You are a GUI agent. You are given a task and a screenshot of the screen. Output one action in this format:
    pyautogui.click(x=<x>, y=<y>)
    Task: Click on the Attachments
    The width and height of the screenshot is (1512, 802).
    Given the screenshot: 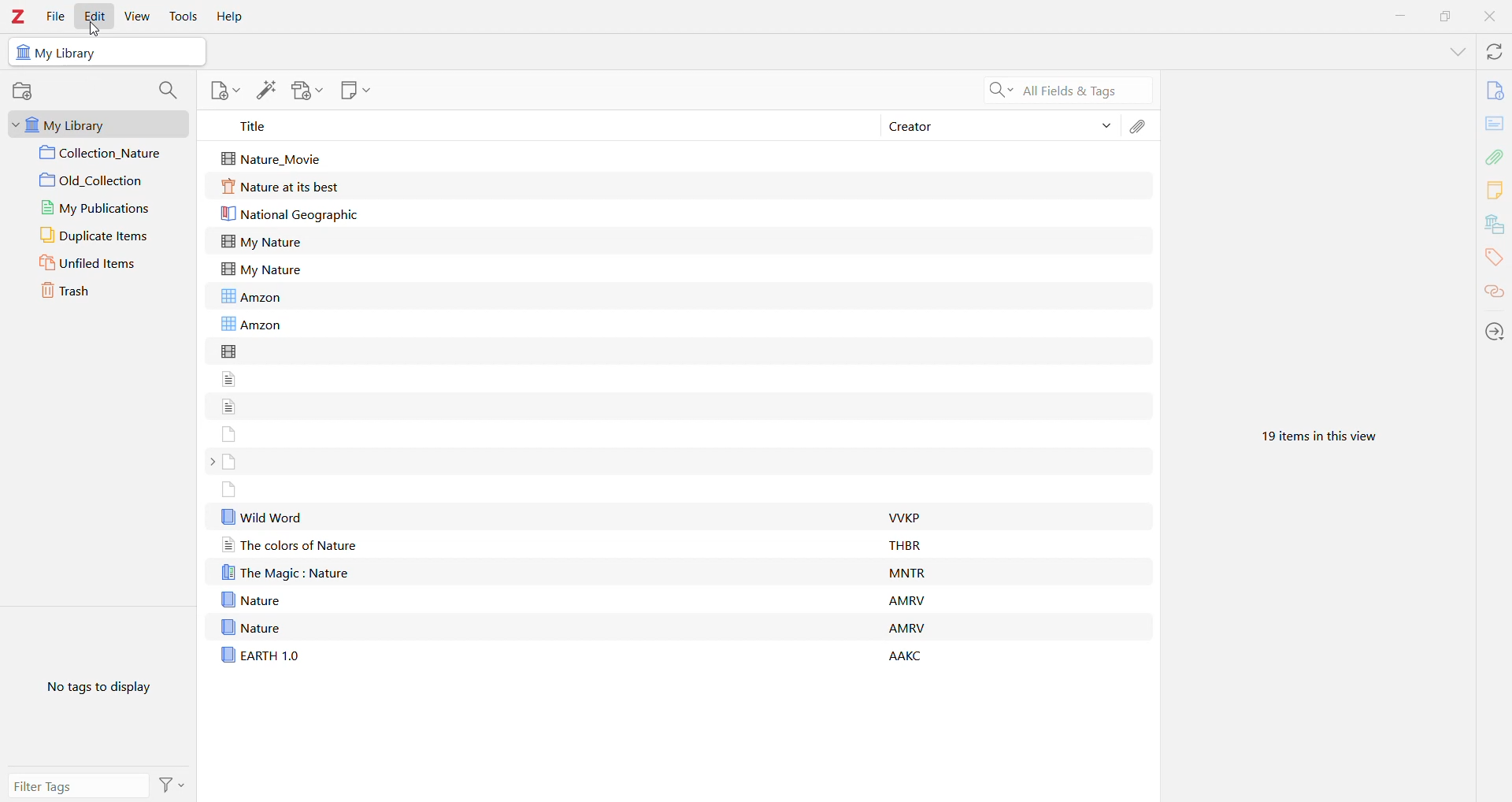 What is the action you would take?
    pyautogui.click(x=1496, y=156)
    